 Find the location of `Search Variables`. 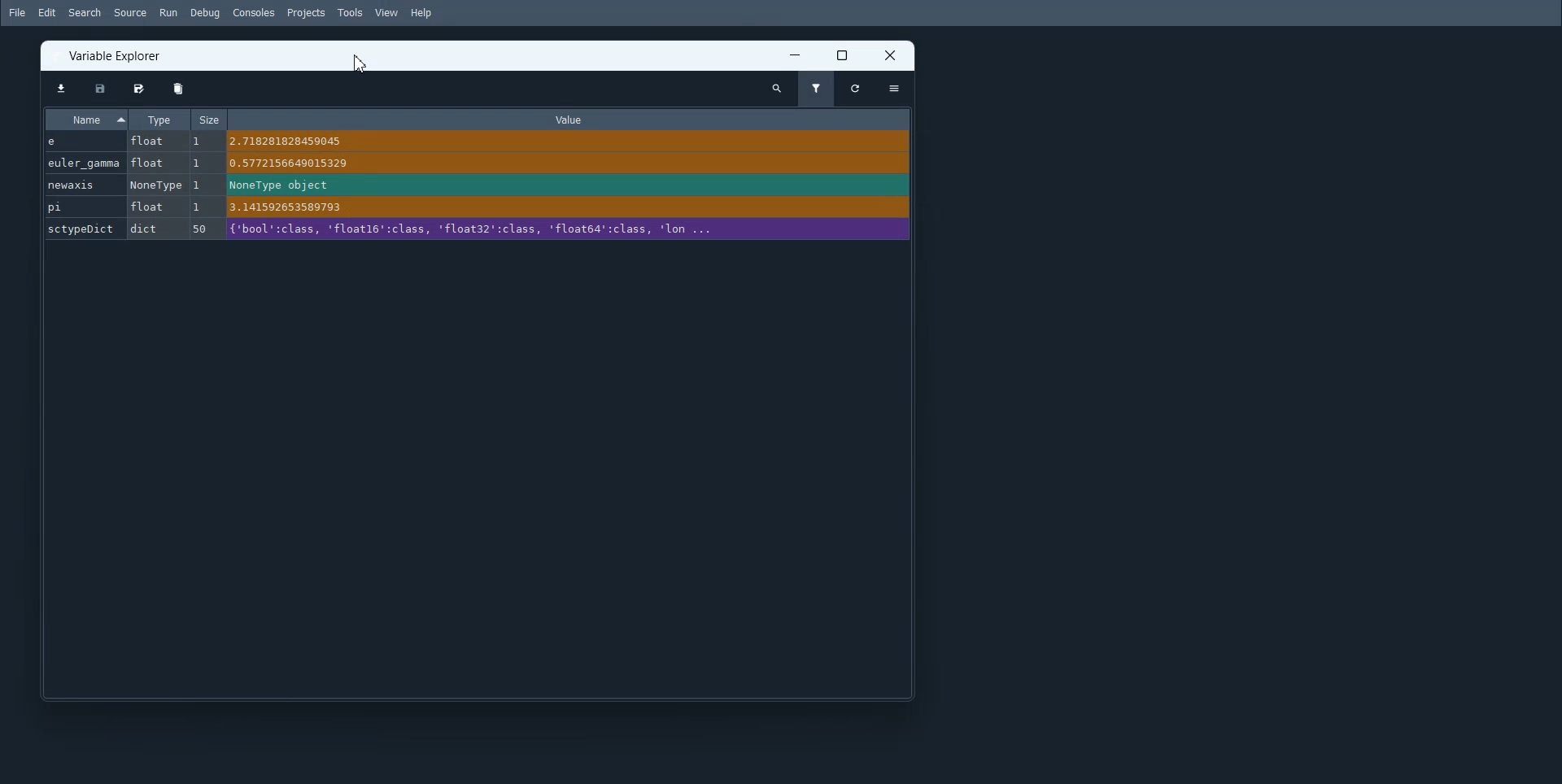

Search Variables is located at coordinates (778, 89).